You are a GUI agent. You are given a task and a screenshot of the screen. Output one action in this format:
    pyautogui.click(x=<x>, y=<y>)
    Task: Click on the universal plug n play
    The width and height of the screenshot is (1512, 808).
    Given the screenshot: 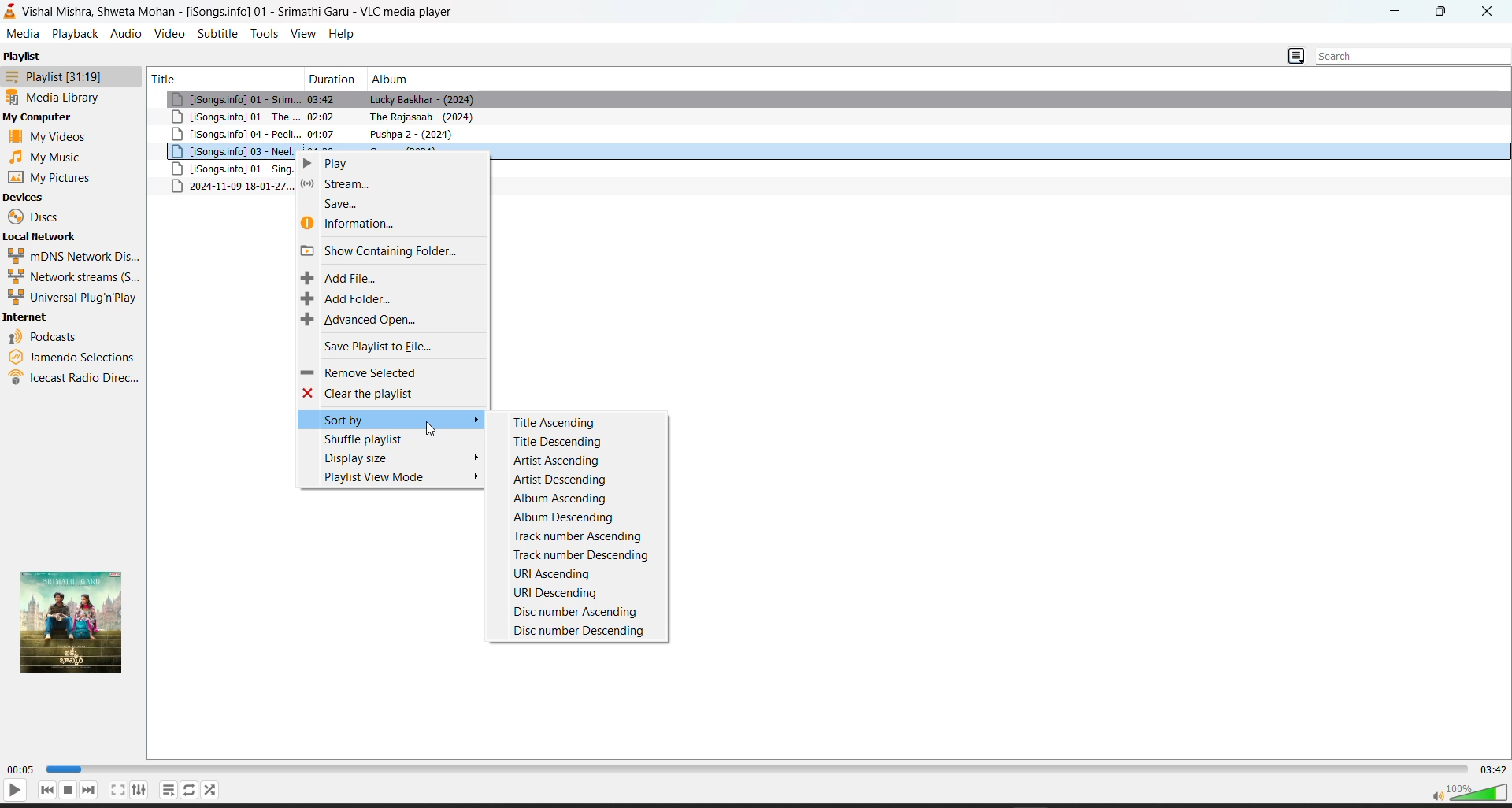 What is the action you would take?
    pyautogui.click(x=73, y=297)
    